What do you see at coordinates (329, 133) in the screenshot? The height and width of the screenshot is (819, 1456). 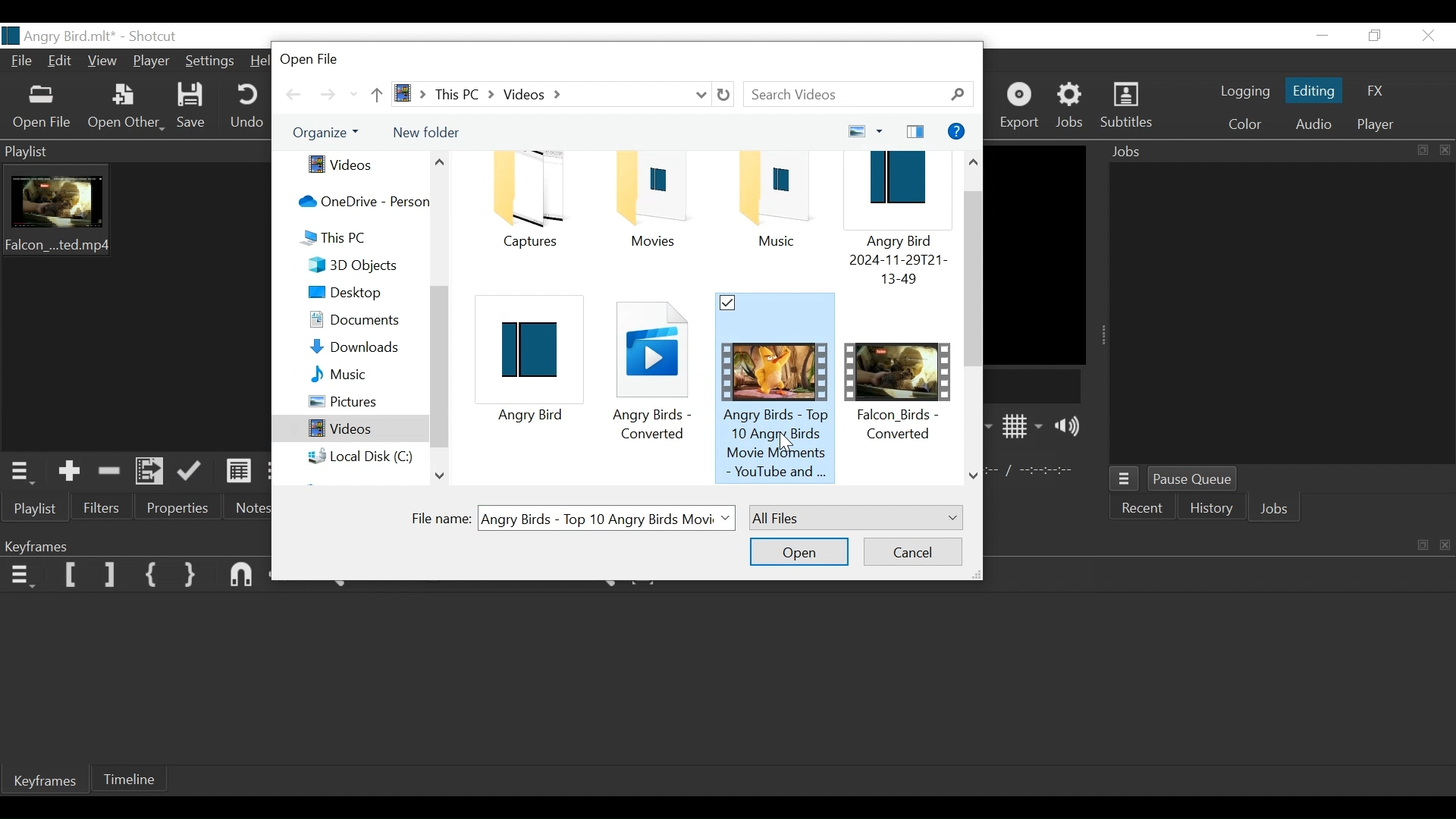 I see `Organize` at bounding box center [329, 133].